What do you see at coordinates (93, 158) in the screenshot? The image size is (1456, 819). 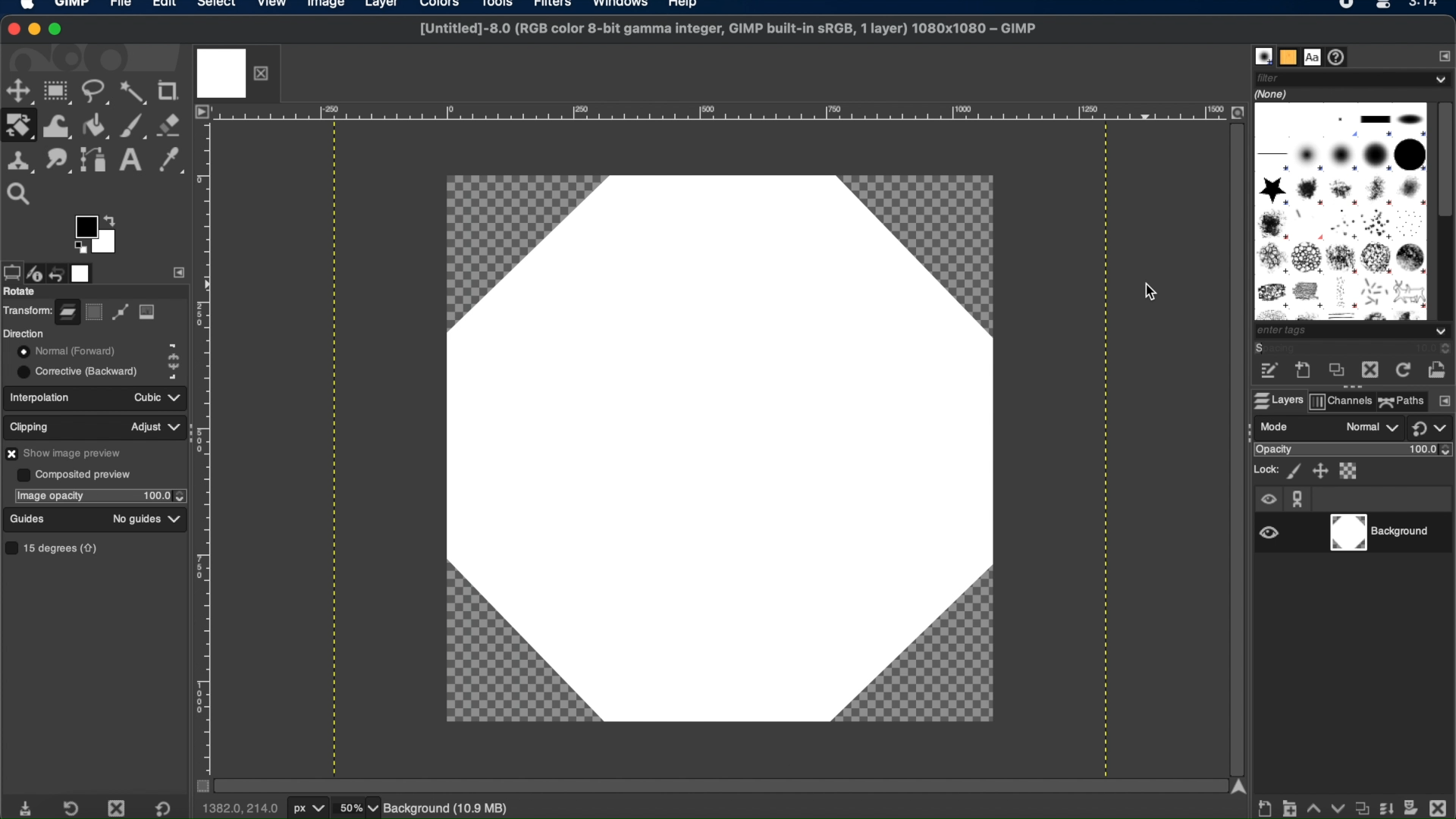 I see `paths tool` at bounding box center [93, 158].